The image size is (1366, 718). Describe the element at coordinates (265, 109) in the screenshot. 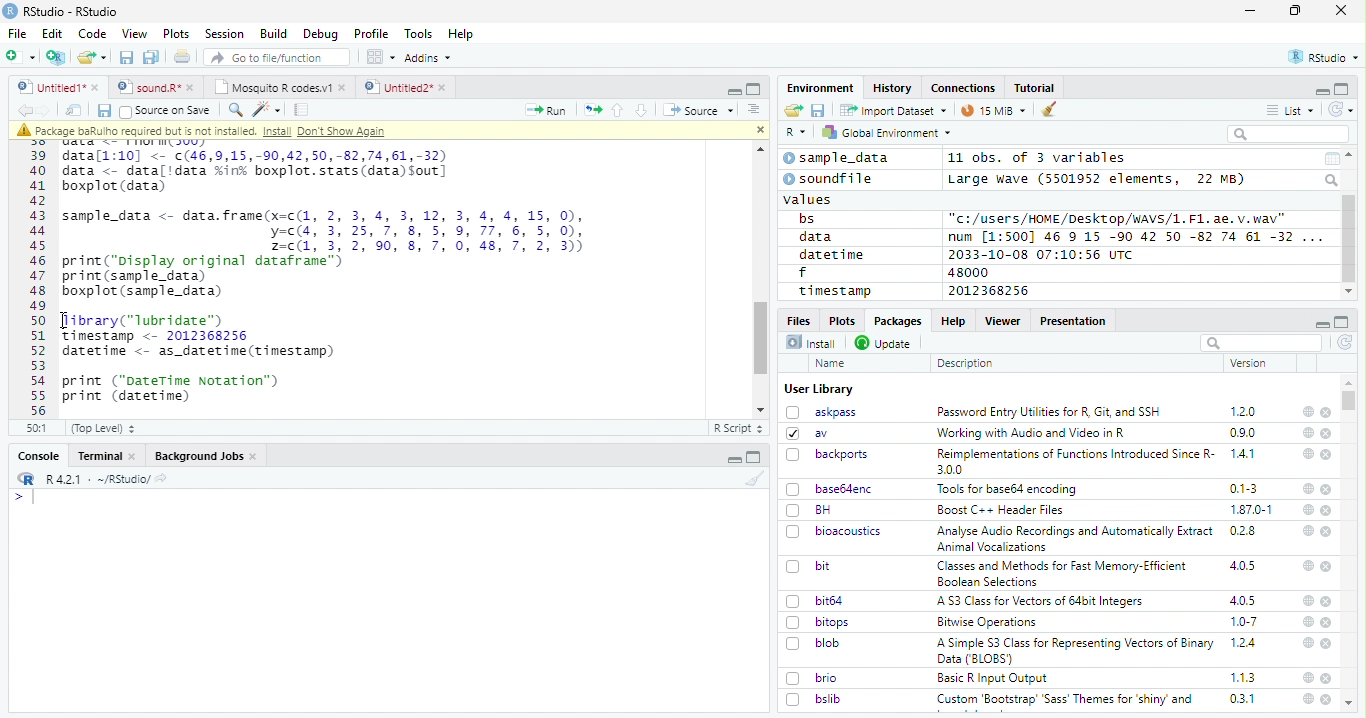

I see `Code tools` at that location.